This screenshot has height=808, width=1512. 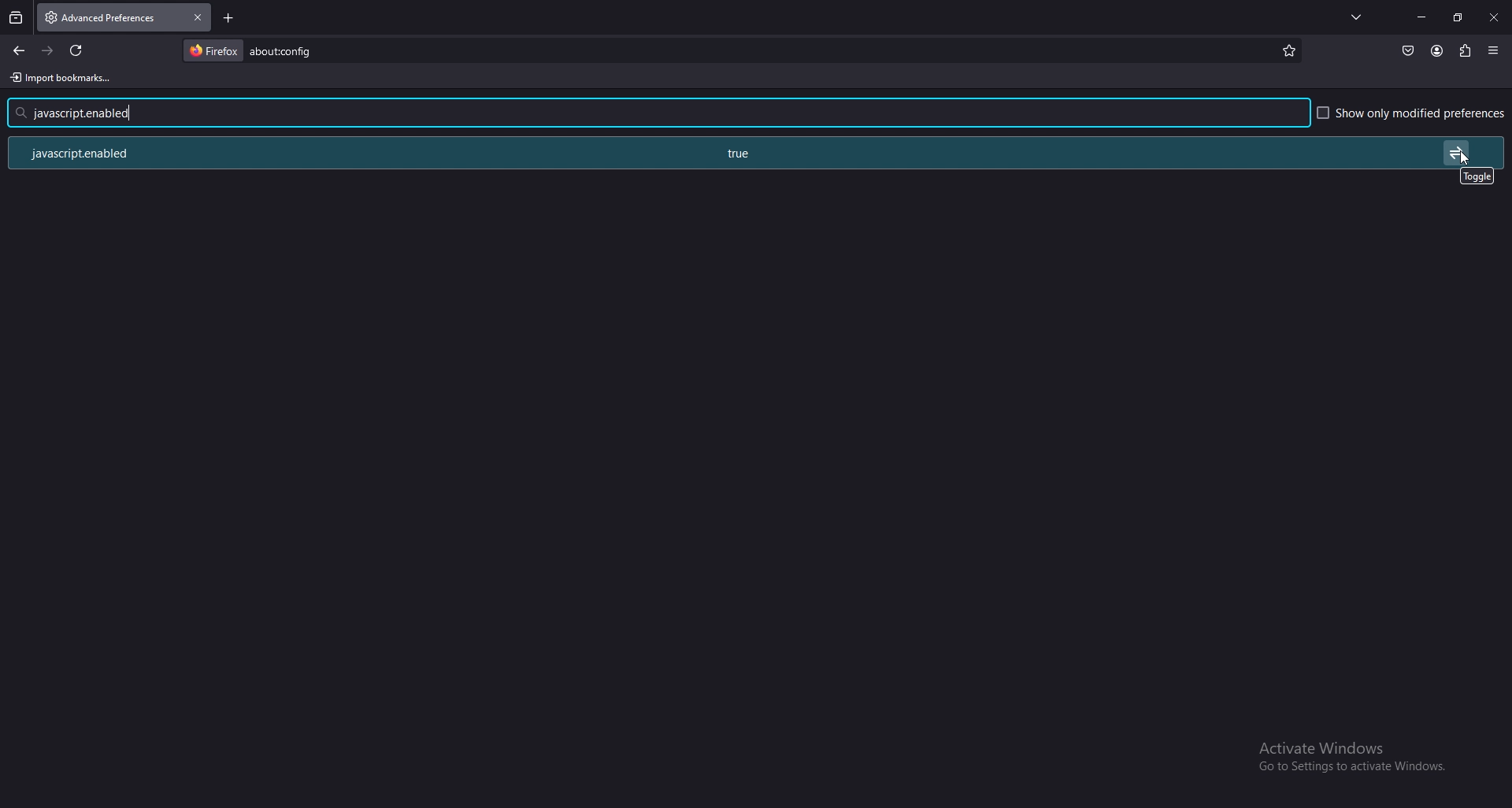 I want to click on mark as favorite, so click(x=1288, y=53).